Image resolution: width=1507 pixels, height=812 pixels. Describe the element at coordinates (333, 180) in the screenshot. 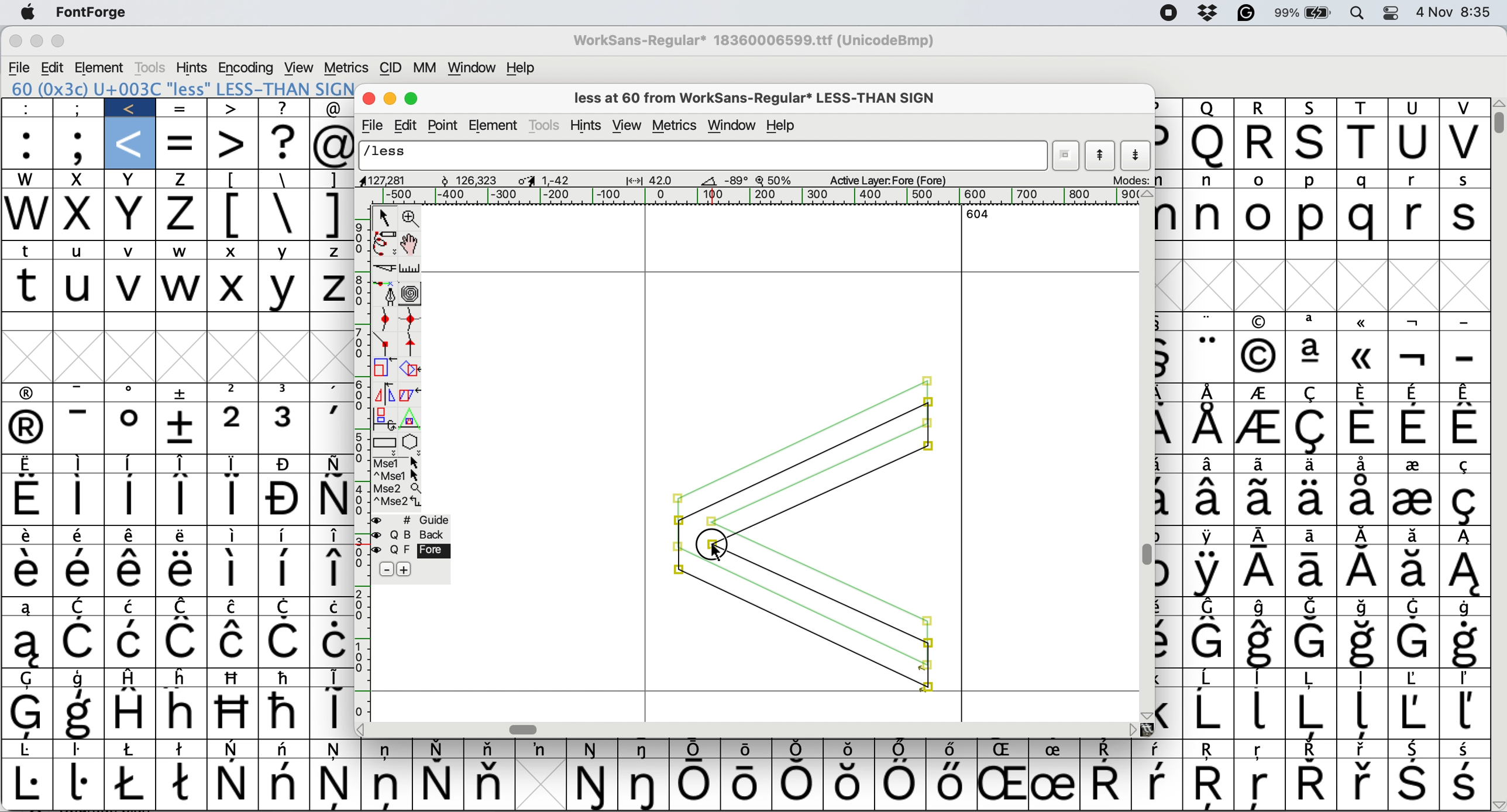

I see `]` at that location.